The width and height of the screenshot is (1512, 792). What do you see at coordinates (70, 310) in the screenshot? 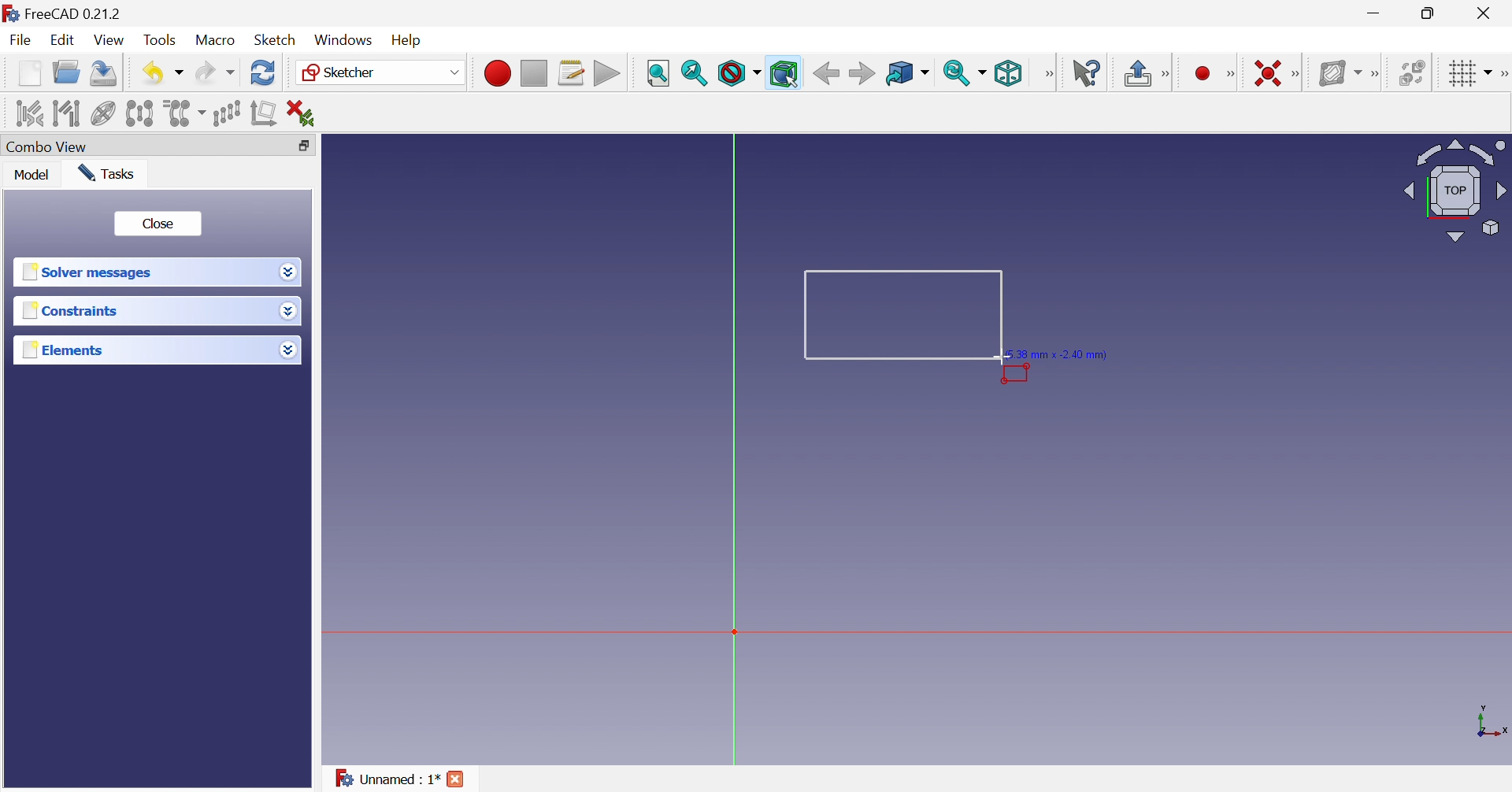
I see `Constraints` at bounding box center [70, 310].